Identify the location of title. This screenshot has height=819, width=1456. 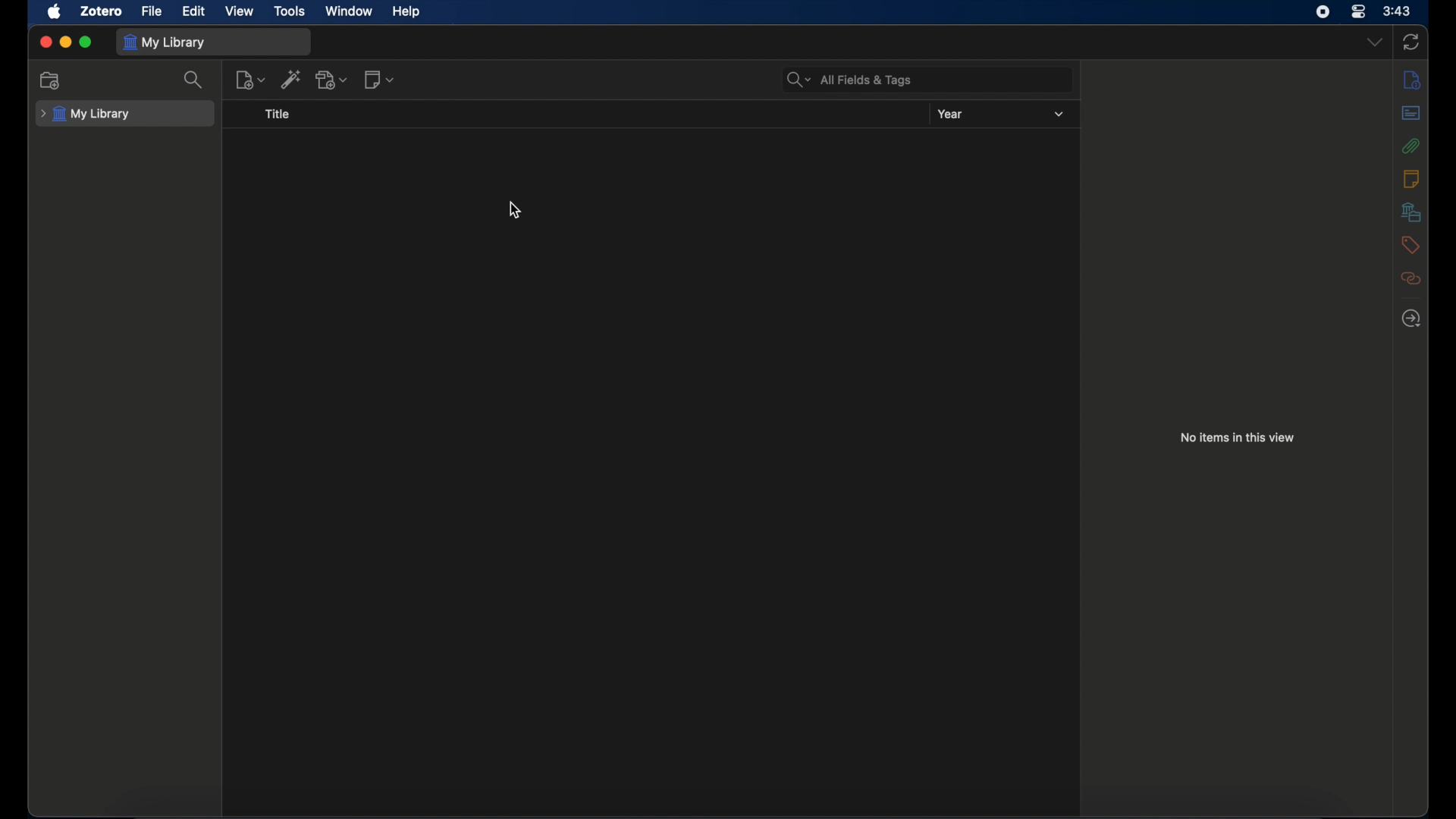
(281, 115).